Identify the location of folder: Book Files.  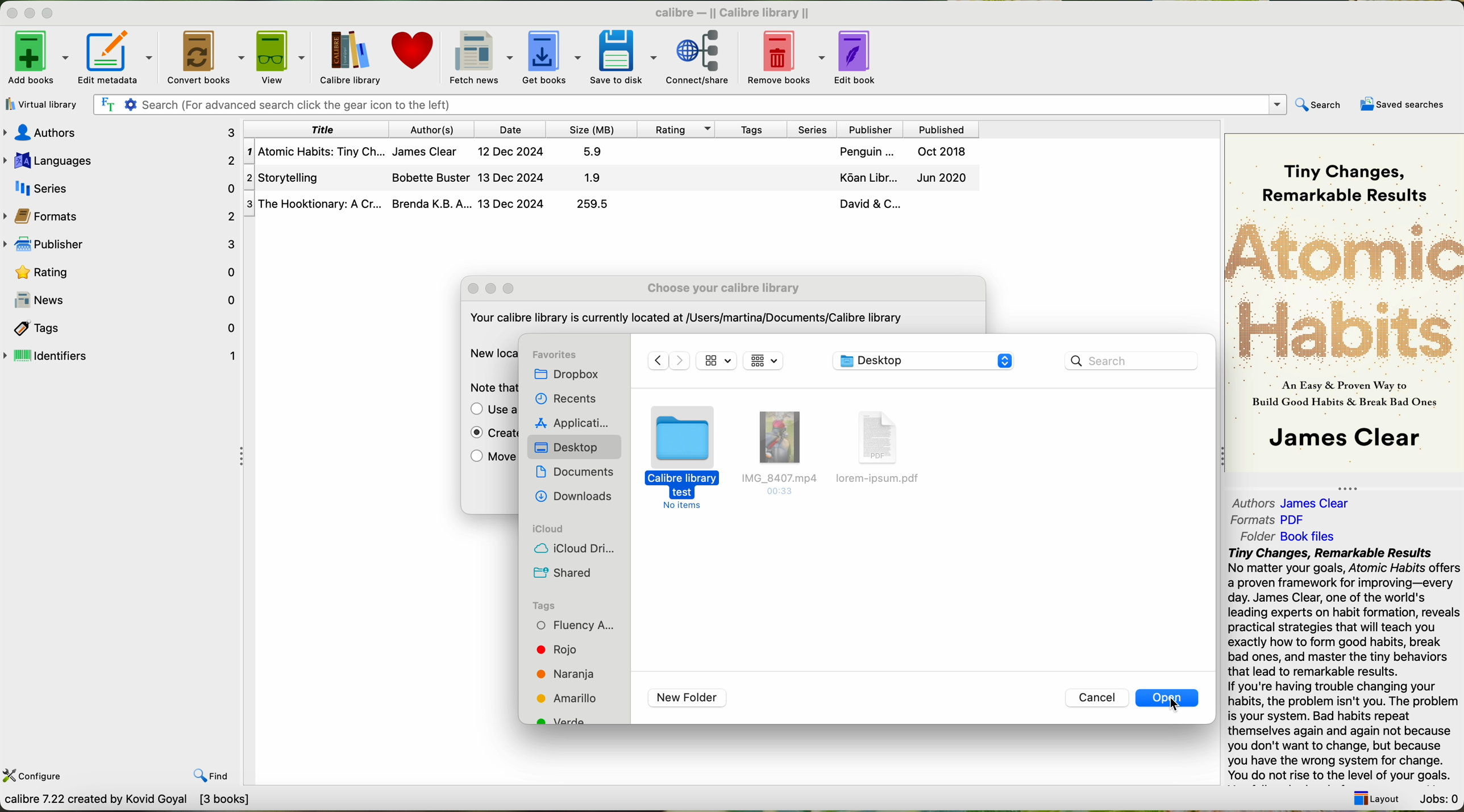
(1288, 536).